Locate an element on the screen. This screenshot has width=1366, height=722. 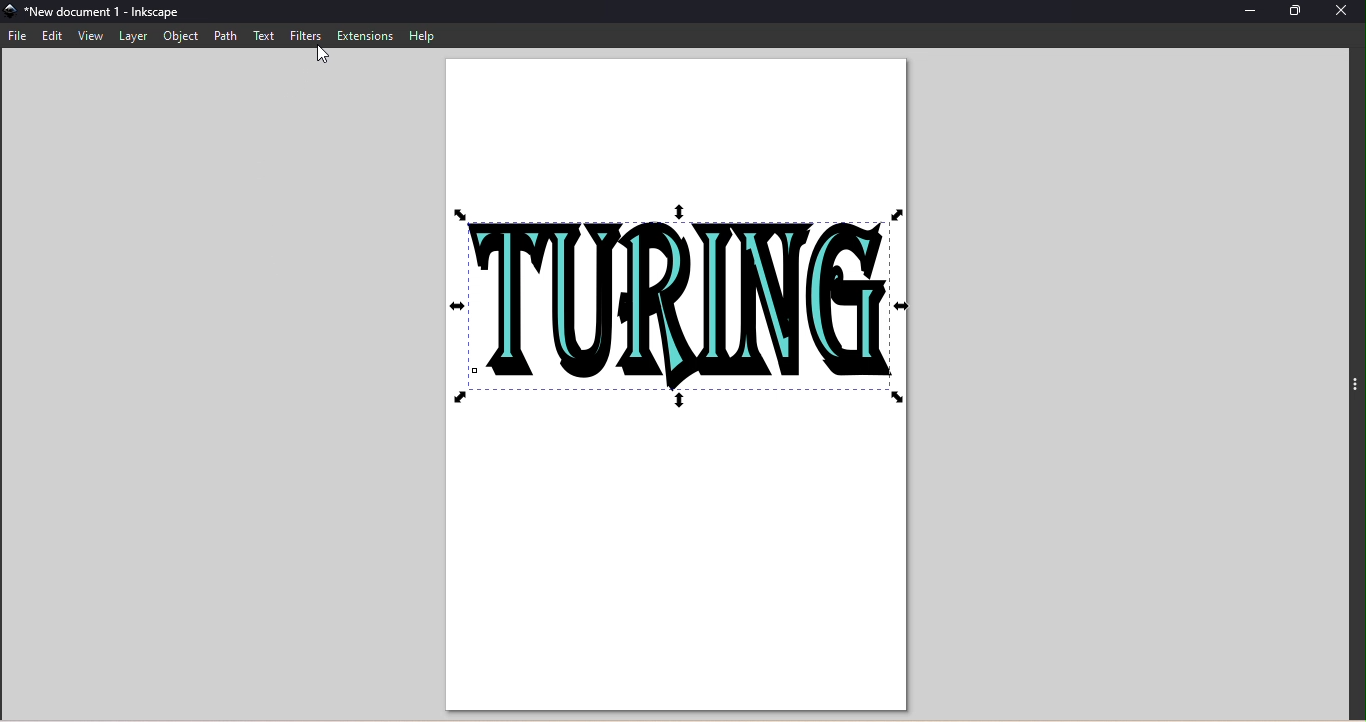
Toggle command panel is located at coordinates (1355, 390).